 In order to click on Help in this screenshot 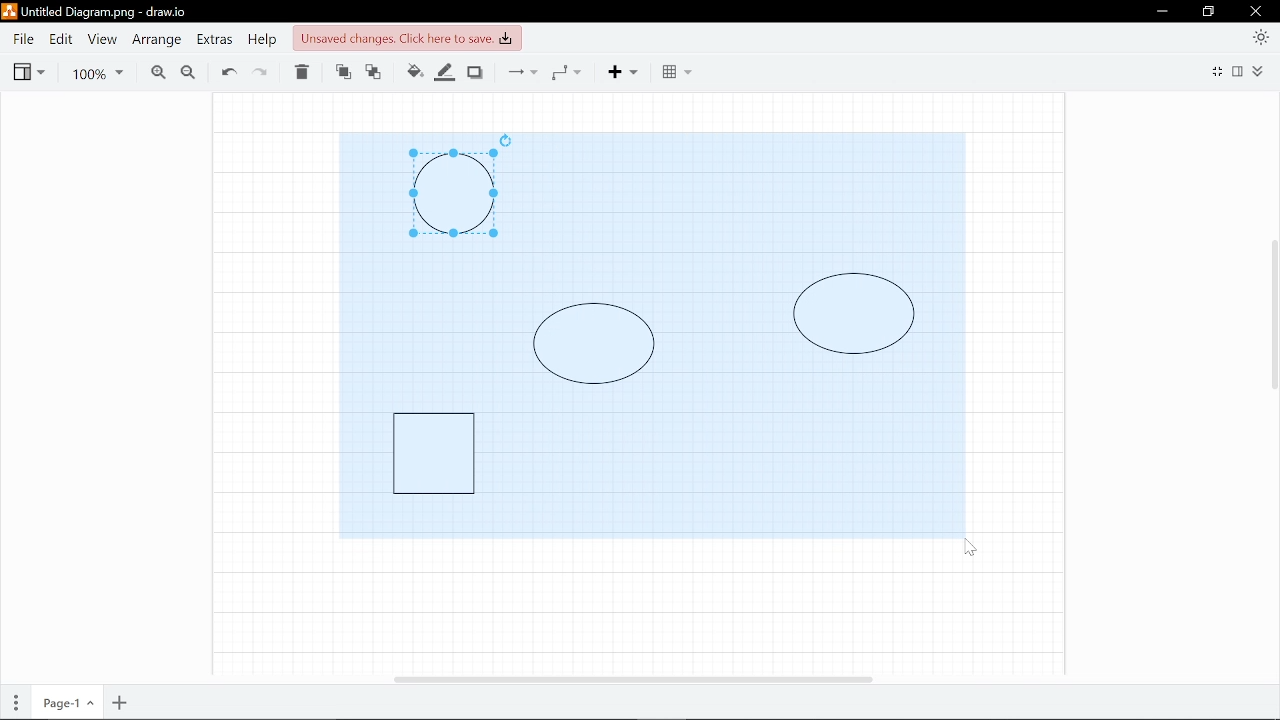, I will do `click(261, 39)`.